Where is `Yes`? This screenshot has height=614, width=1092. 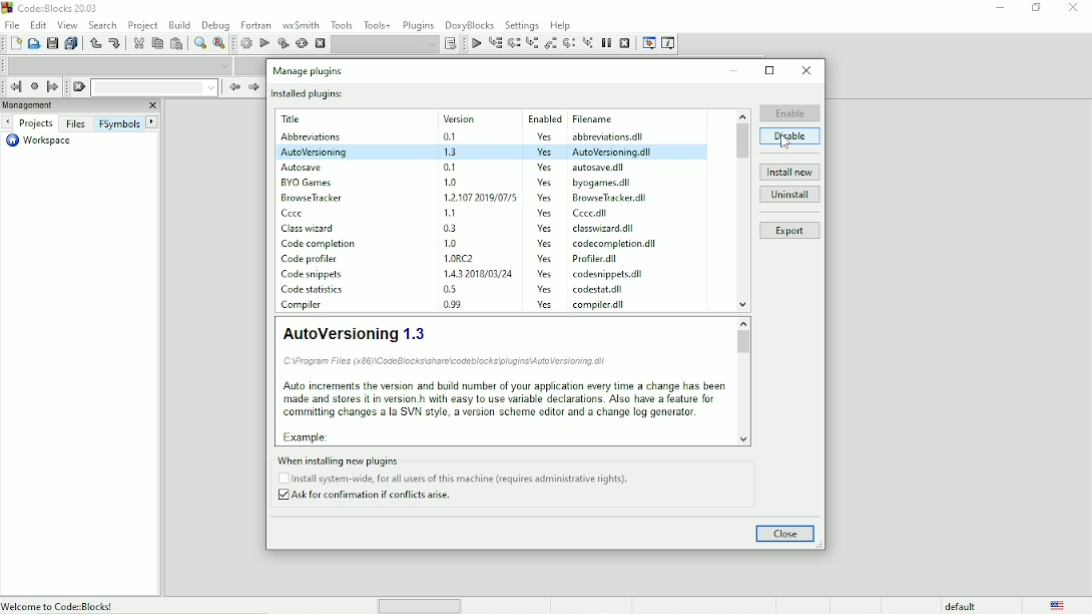
Yes is located at coordinates (543, 198).